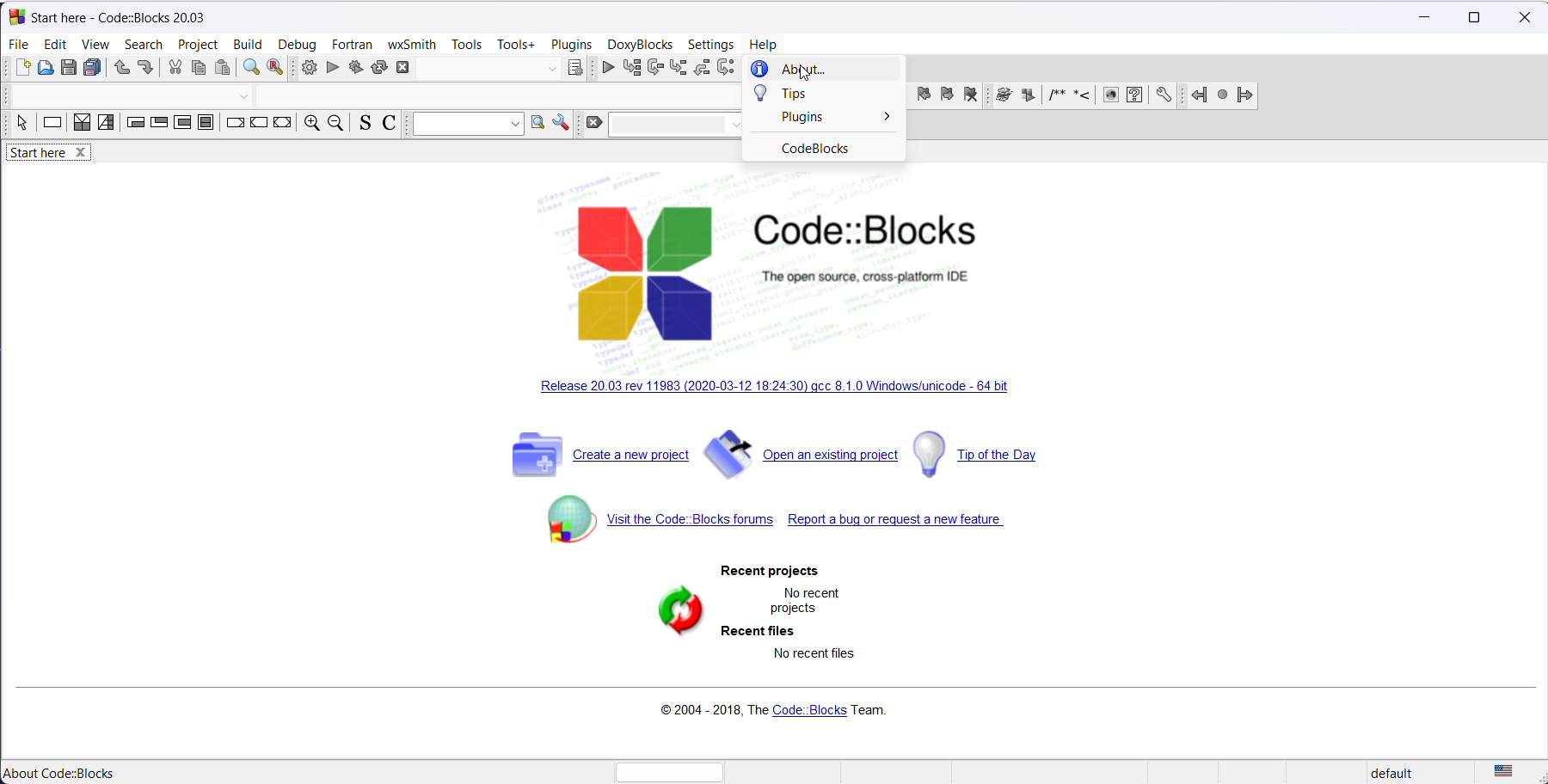 Image resolution: width=1548 pixels, height=784 pixels. Describe the element at coordinates (56, 45) in the screenshot. I see `edit` at that location.